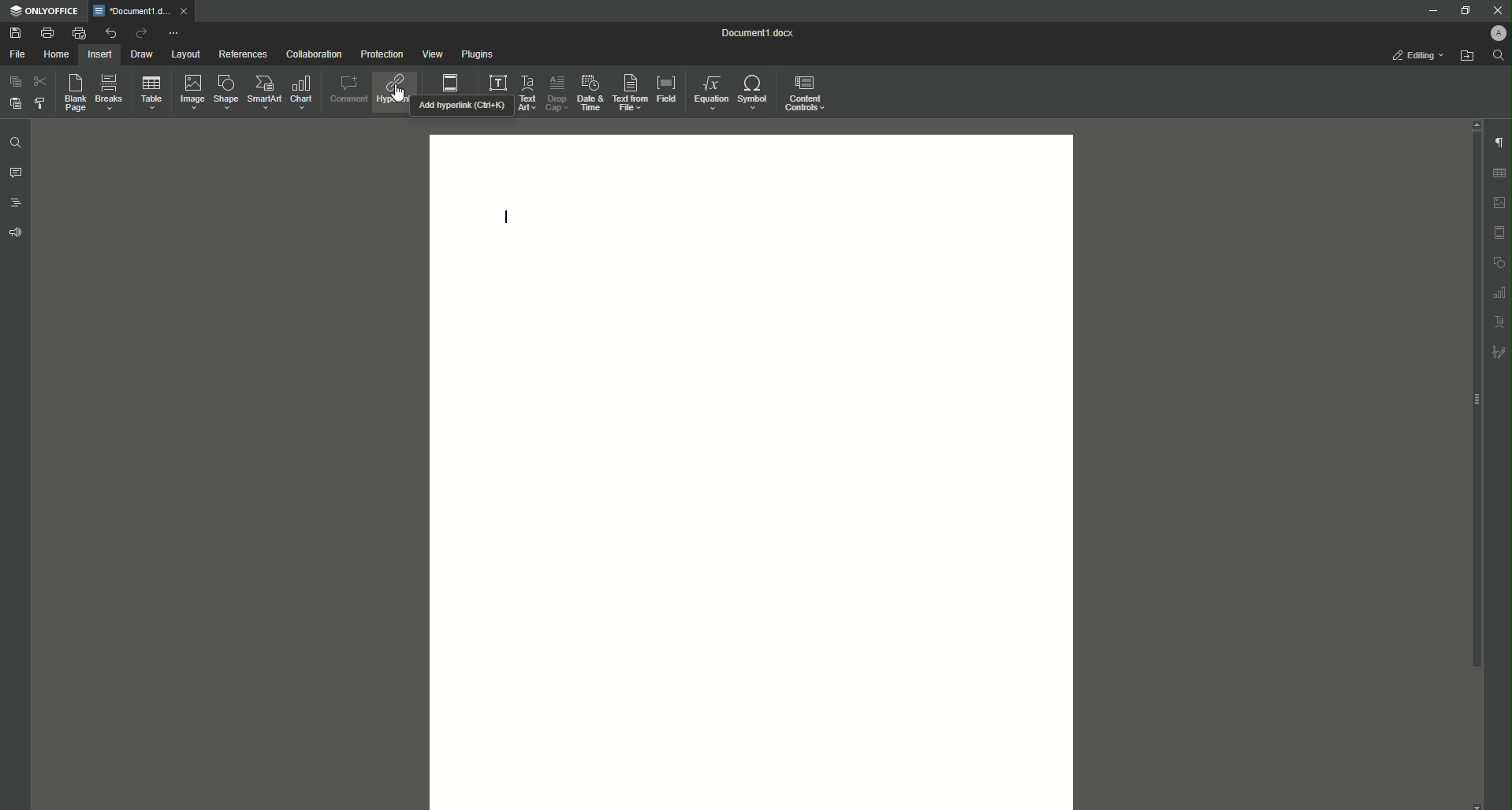 Image resolution: width=1512 pixels, height=810 pixels. I want to click on Drop Cap, so click(557, 92).